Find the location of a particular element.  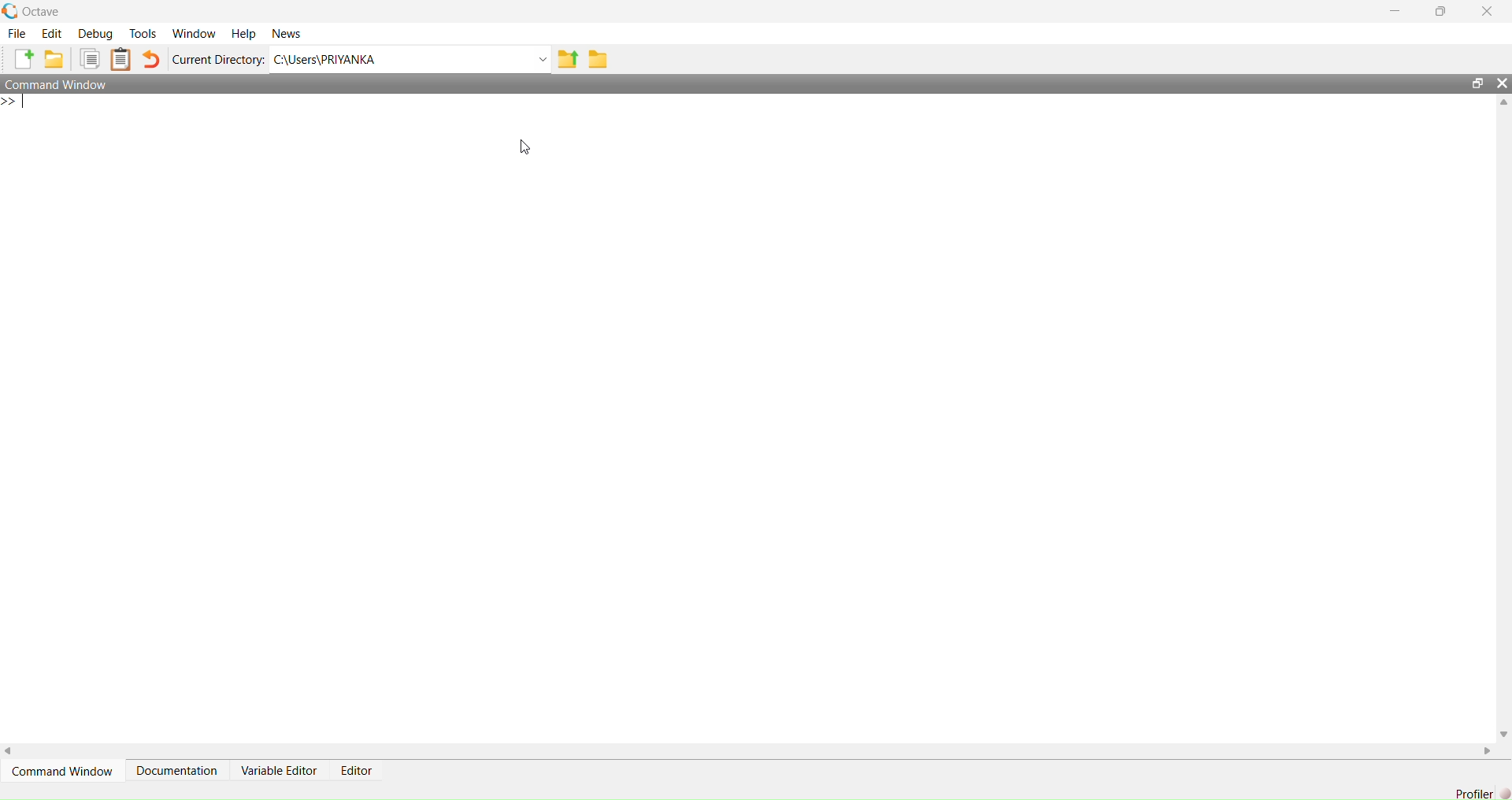

Dropdown is located at coordinates (539, 58).